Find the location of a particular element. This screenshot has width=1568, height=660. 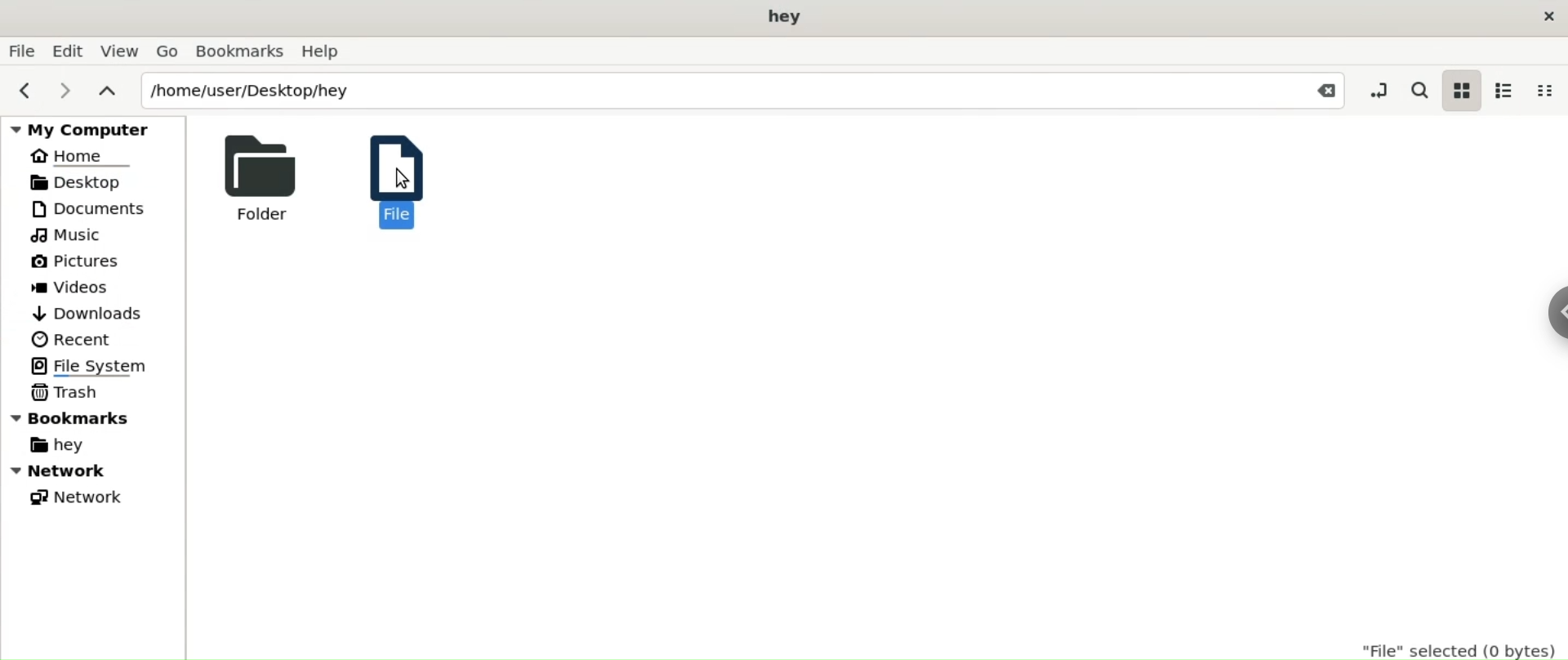

Folder is located at coordinates (267, 178).